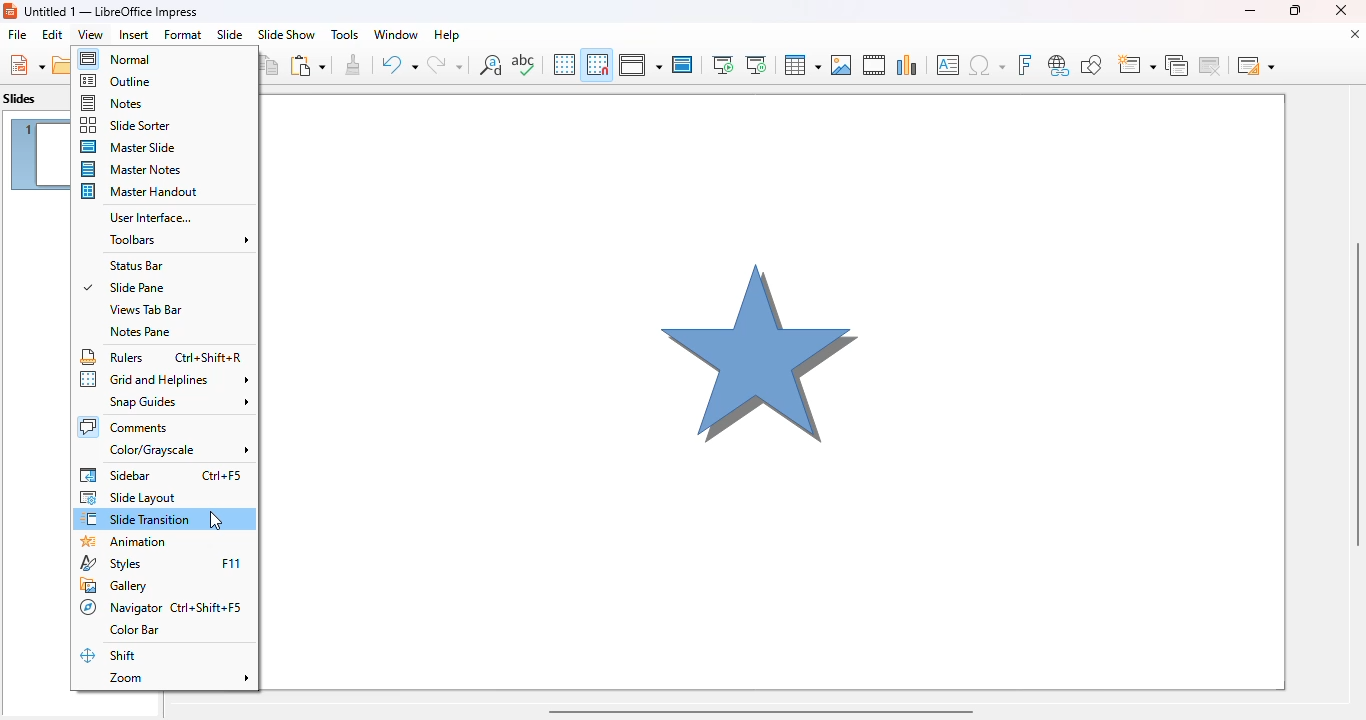 This screenshot has height=720, width=1366. I want to click on styles, so click(161, 563).